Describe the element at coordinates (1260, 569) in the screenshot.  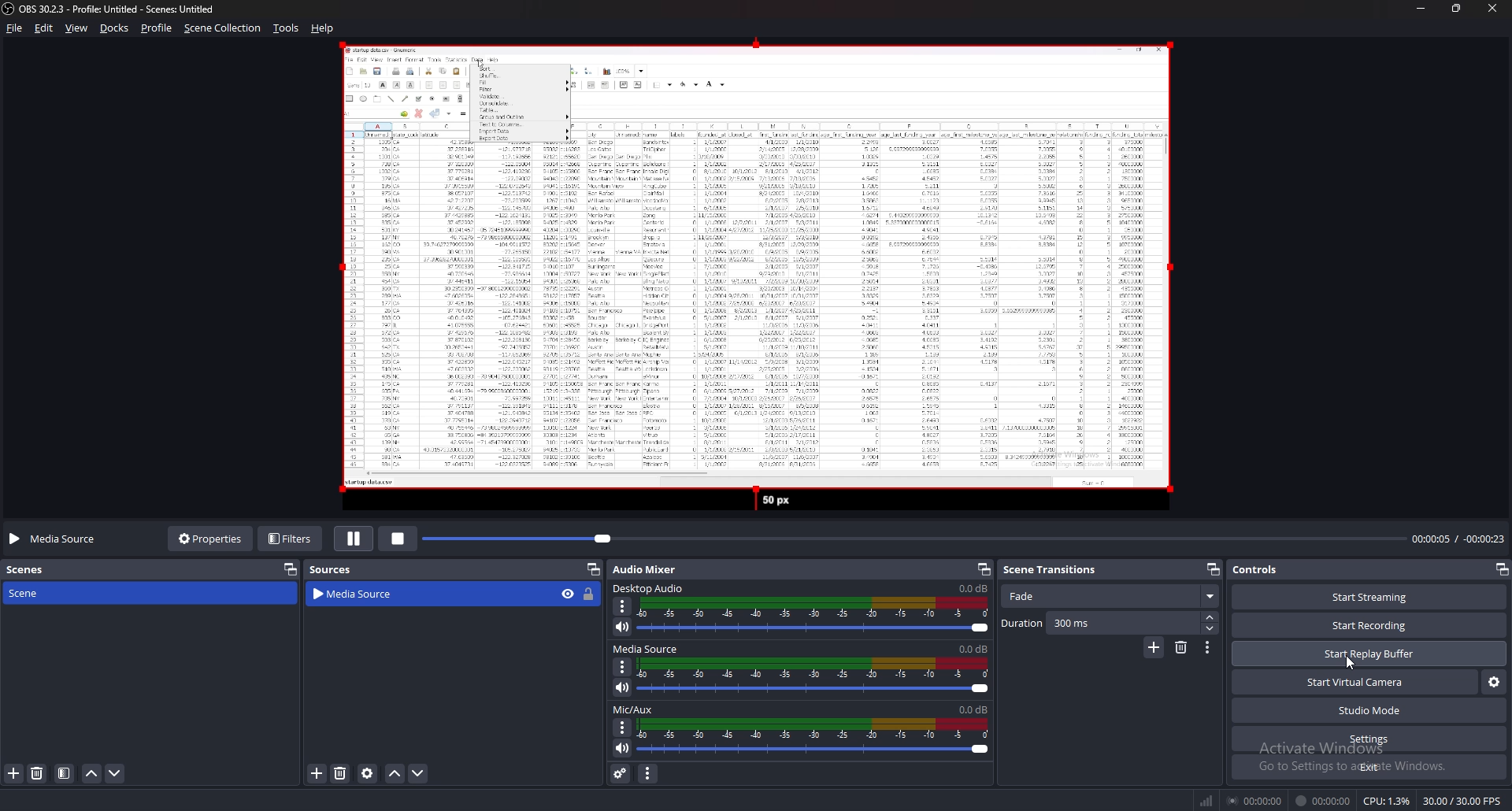
I see `controls` at that location.